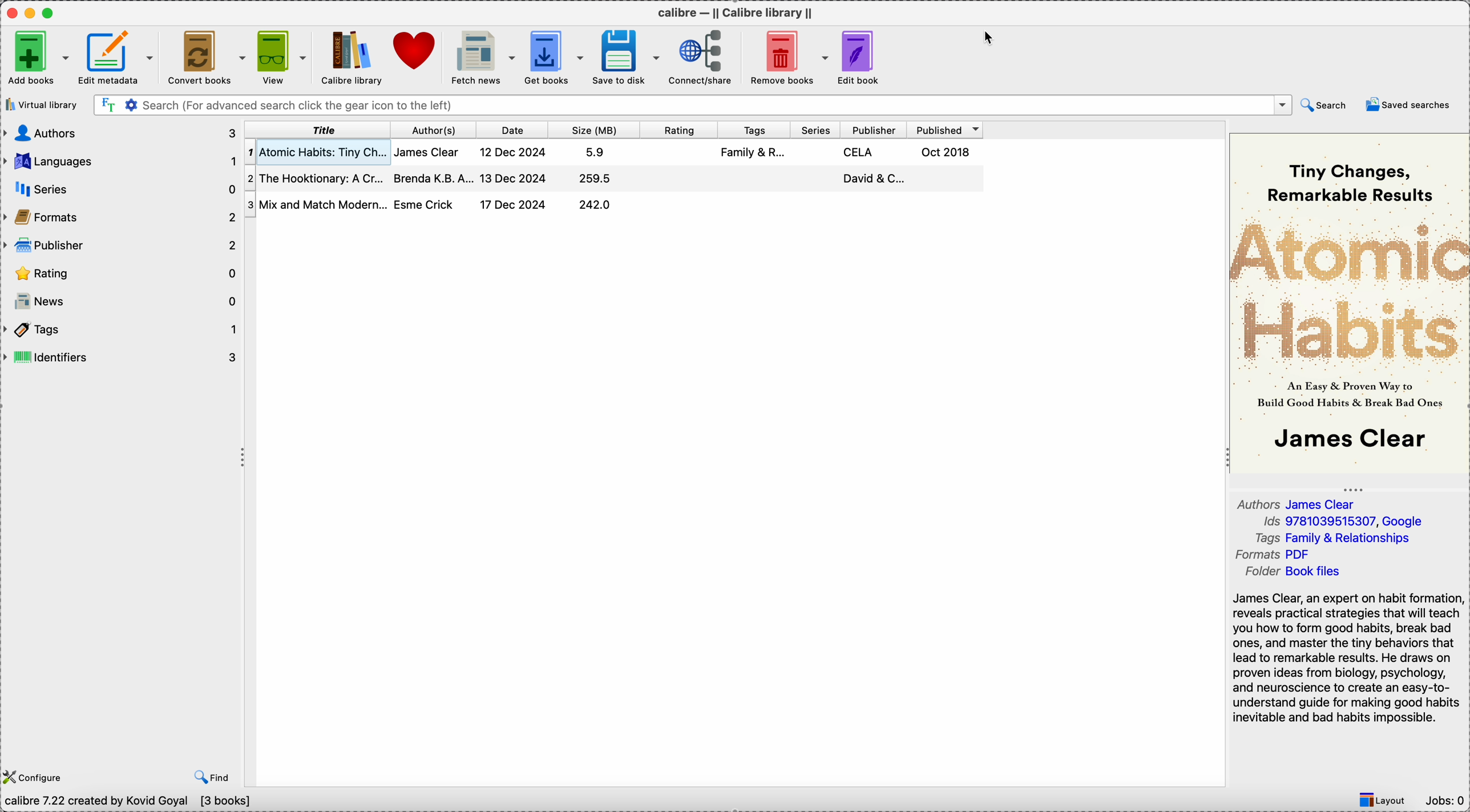 The image size is (1470, 812). Describe the element at coordinates (318, 130) in the screenshot. I see `title` at that location.